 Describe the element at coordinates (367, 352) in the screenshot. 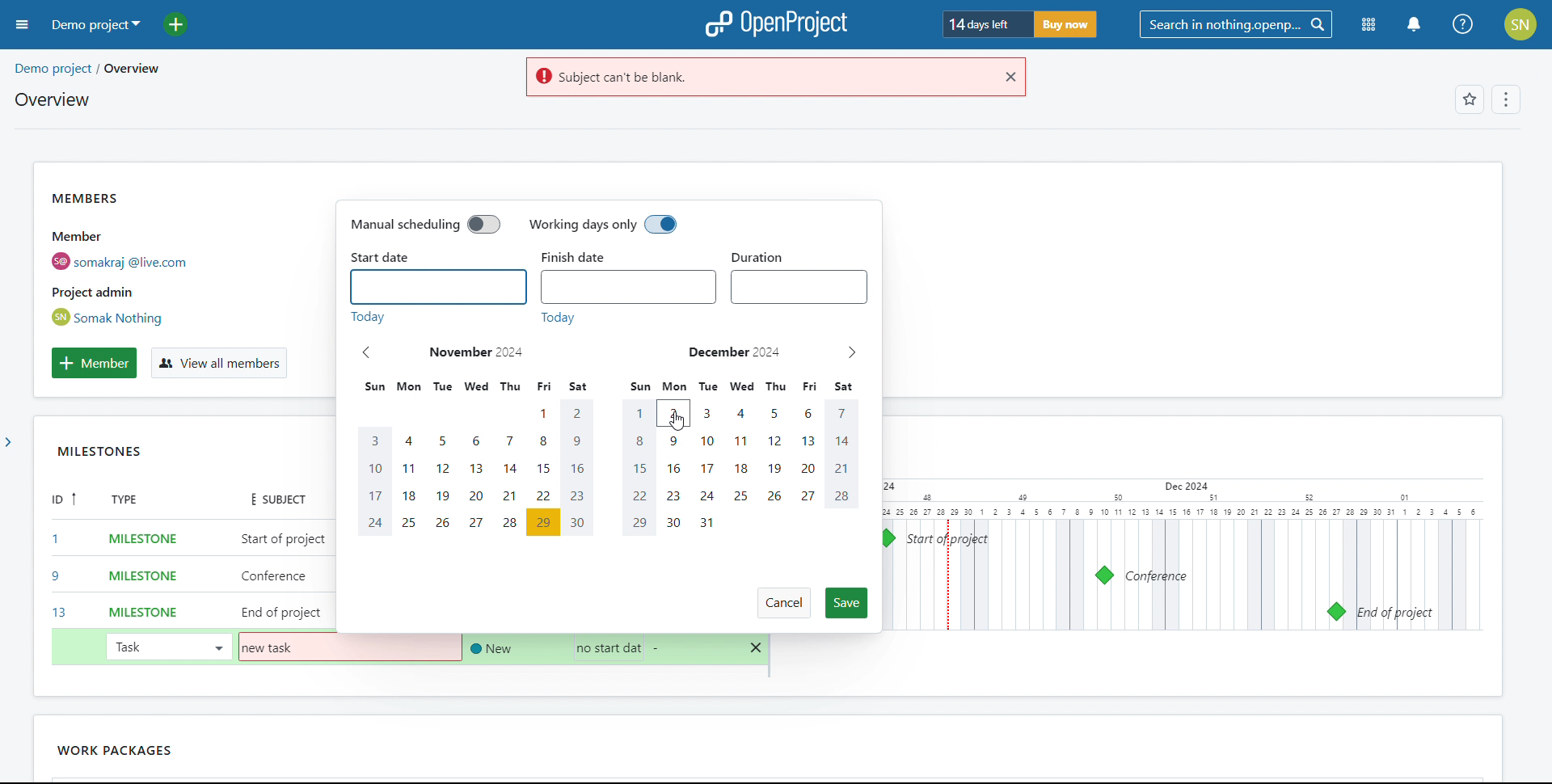

I see `previous month` at that location.